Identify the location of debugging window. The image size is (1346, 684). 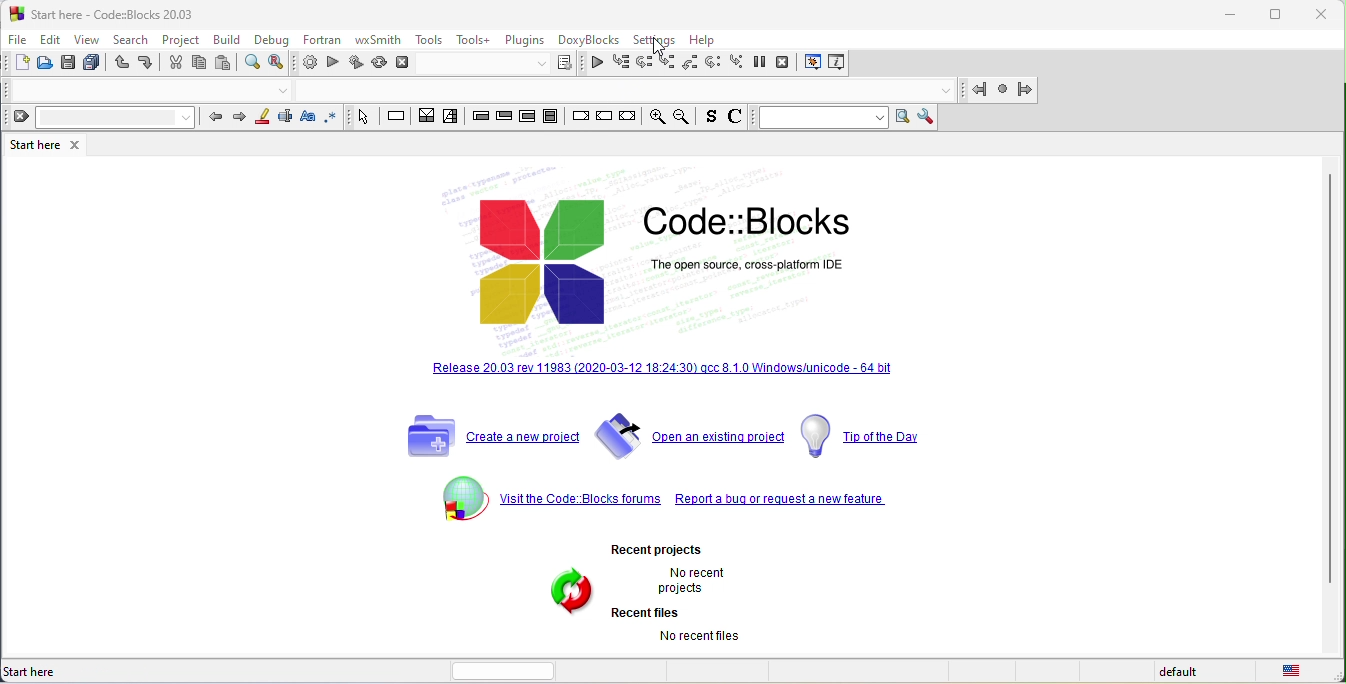
(812, 64).